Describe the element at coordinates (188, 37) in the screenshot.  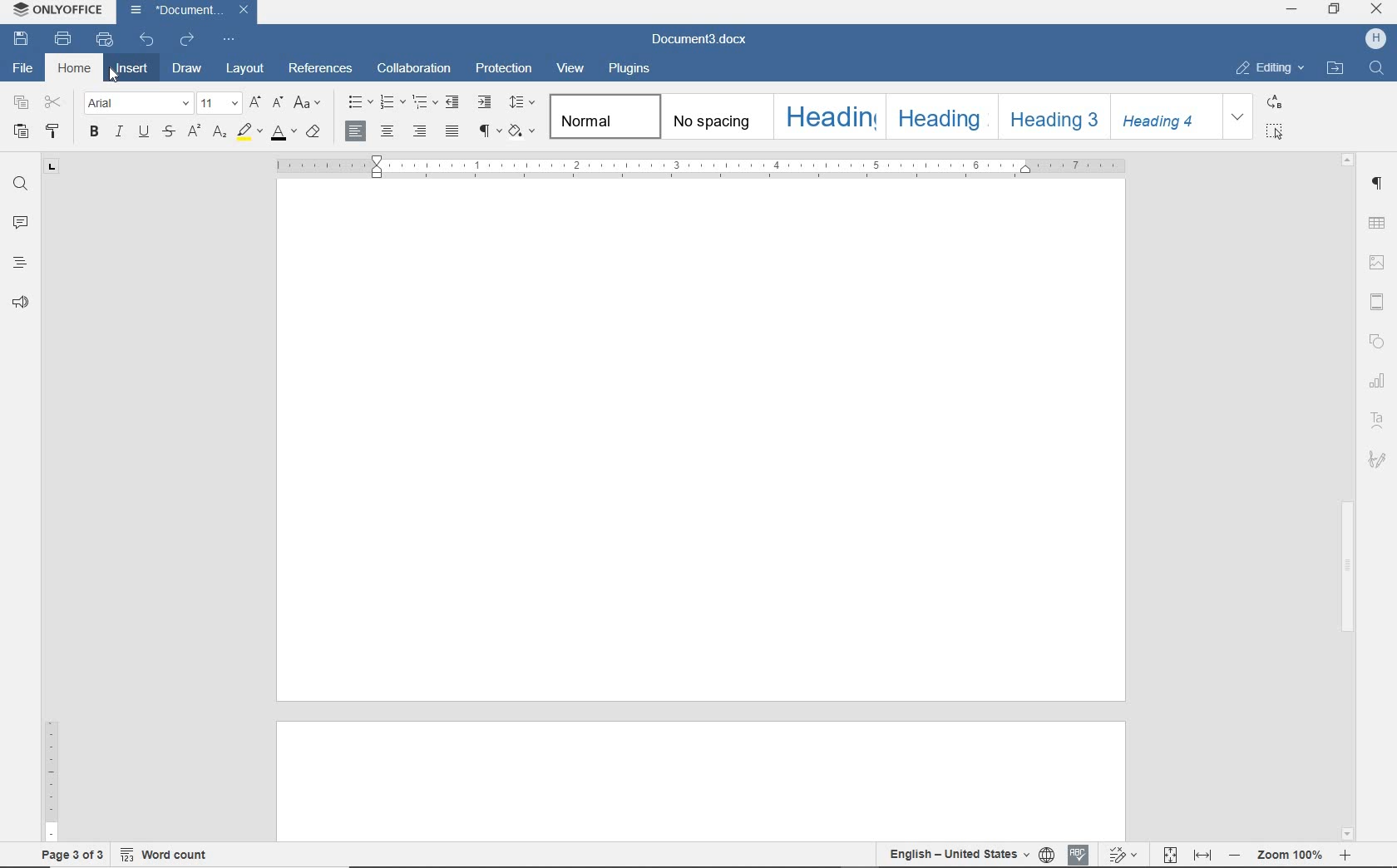
I see `REDO` at that location.